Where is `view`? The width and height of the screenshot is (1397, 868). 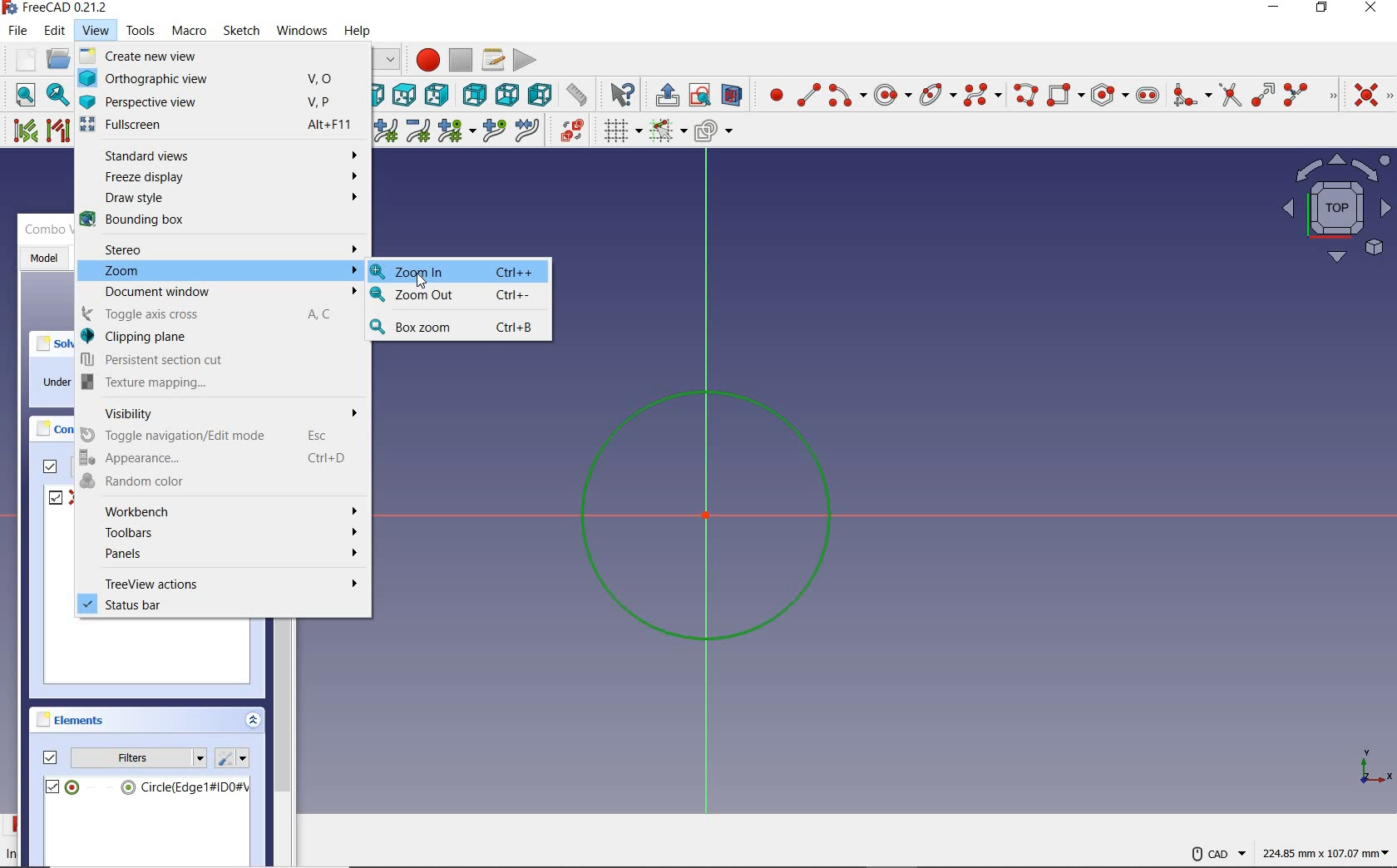 view is located at coordinates (95, 32).